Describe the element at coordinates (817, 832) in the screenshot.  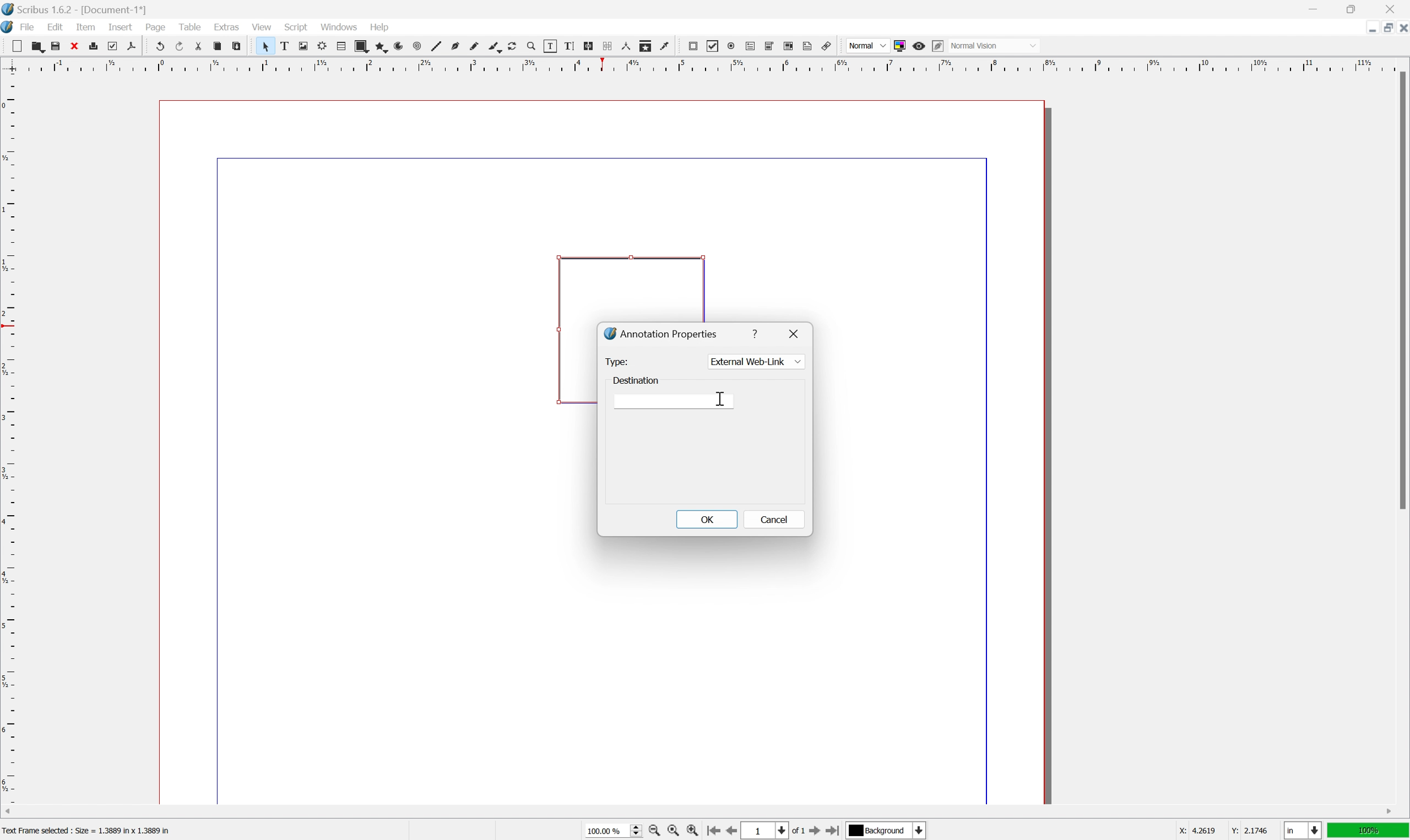
I see `go to next page` at that location.